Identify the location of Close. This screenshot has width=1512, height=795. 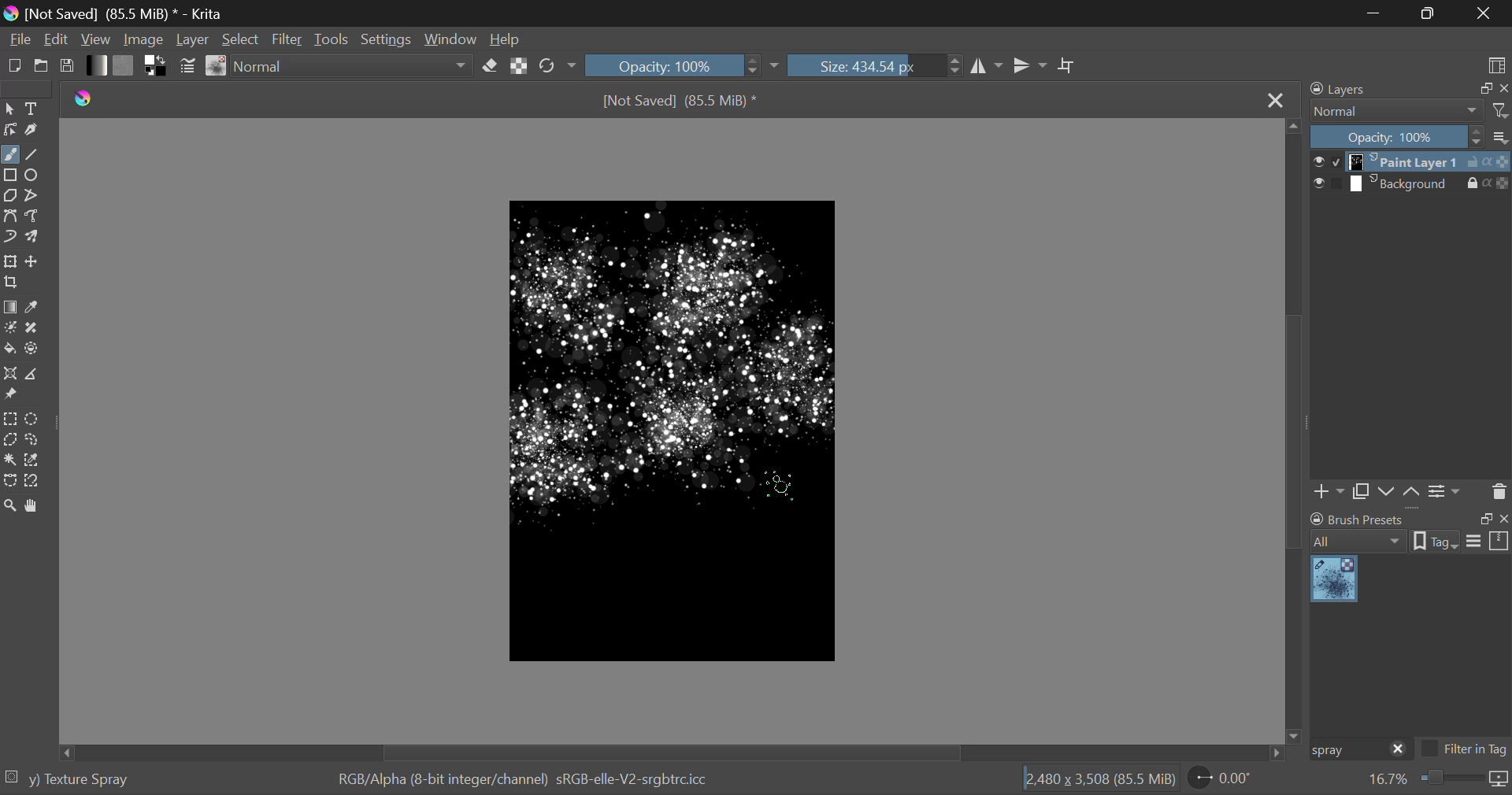
(1484, 13).